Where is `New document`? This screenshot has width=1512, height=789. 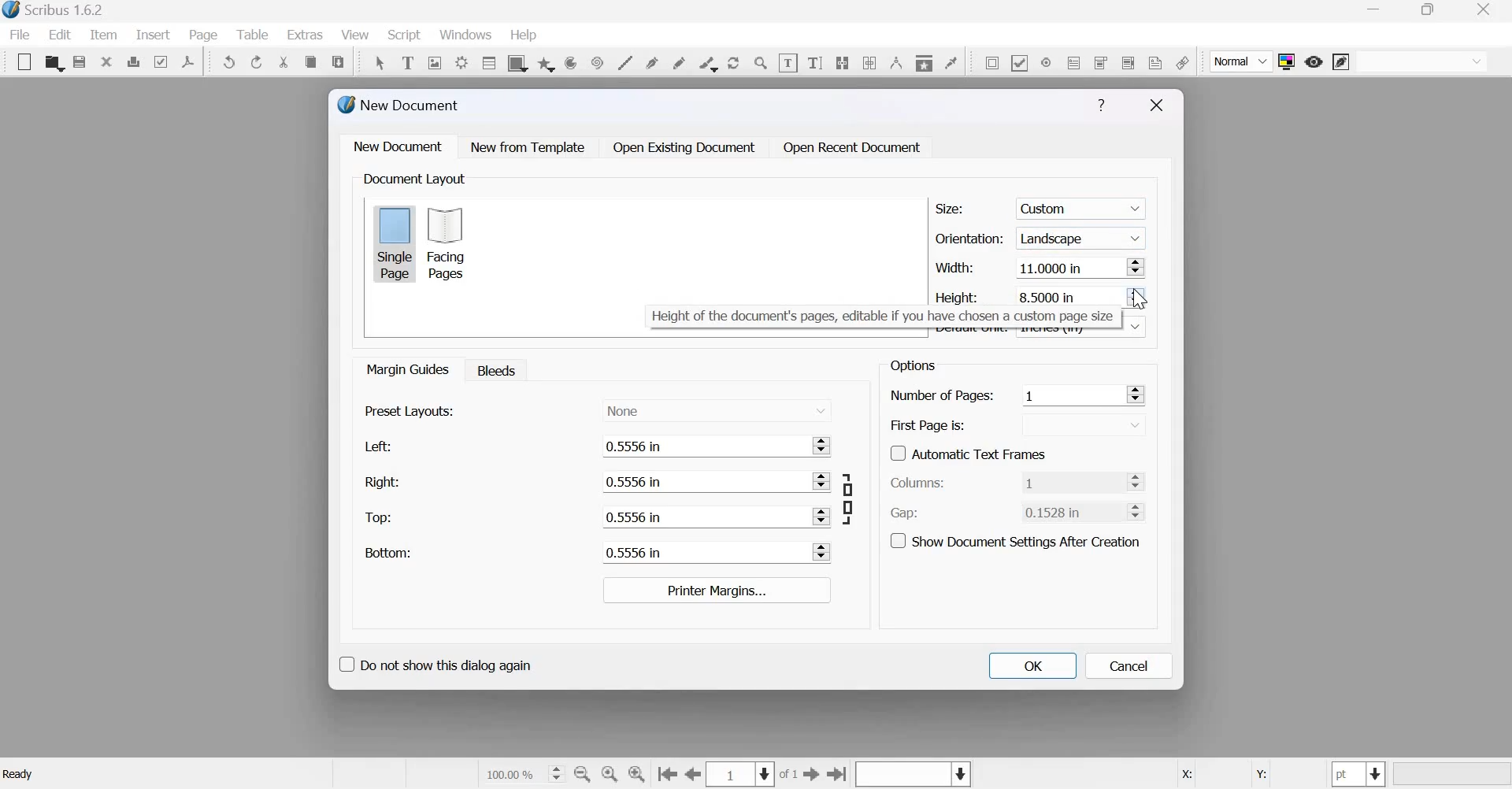 New document is located at coordinates (398, 146).